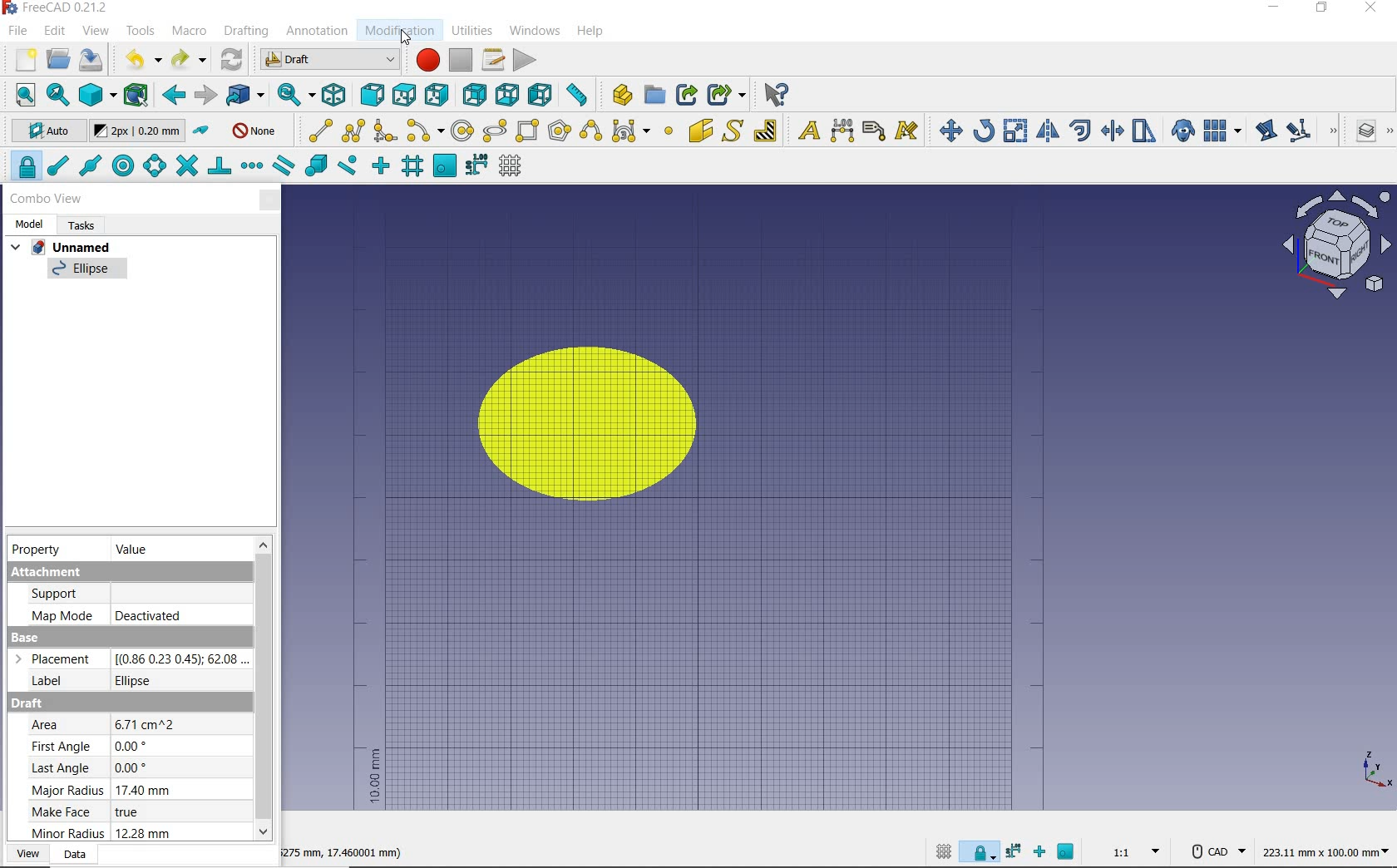 This screenshot has height=868, width=1397. Describe the element at coordinates (1376, 771) in the screenshot. I see `xyz points` at that location.